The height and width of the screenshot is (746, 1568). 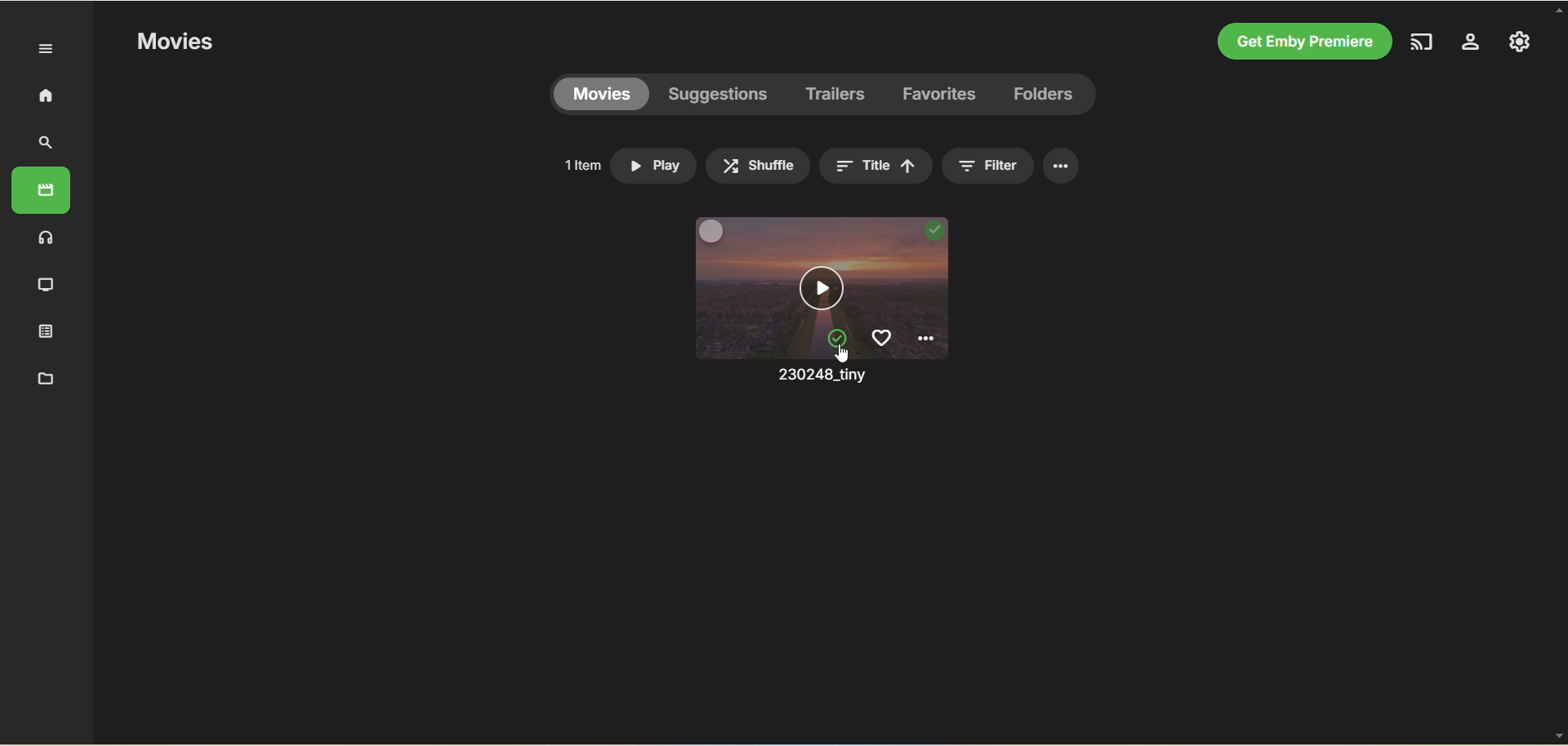 What do you see at coordinates (42, 97) in the screenshot?
I see `home` at bounding box center [42, 97].